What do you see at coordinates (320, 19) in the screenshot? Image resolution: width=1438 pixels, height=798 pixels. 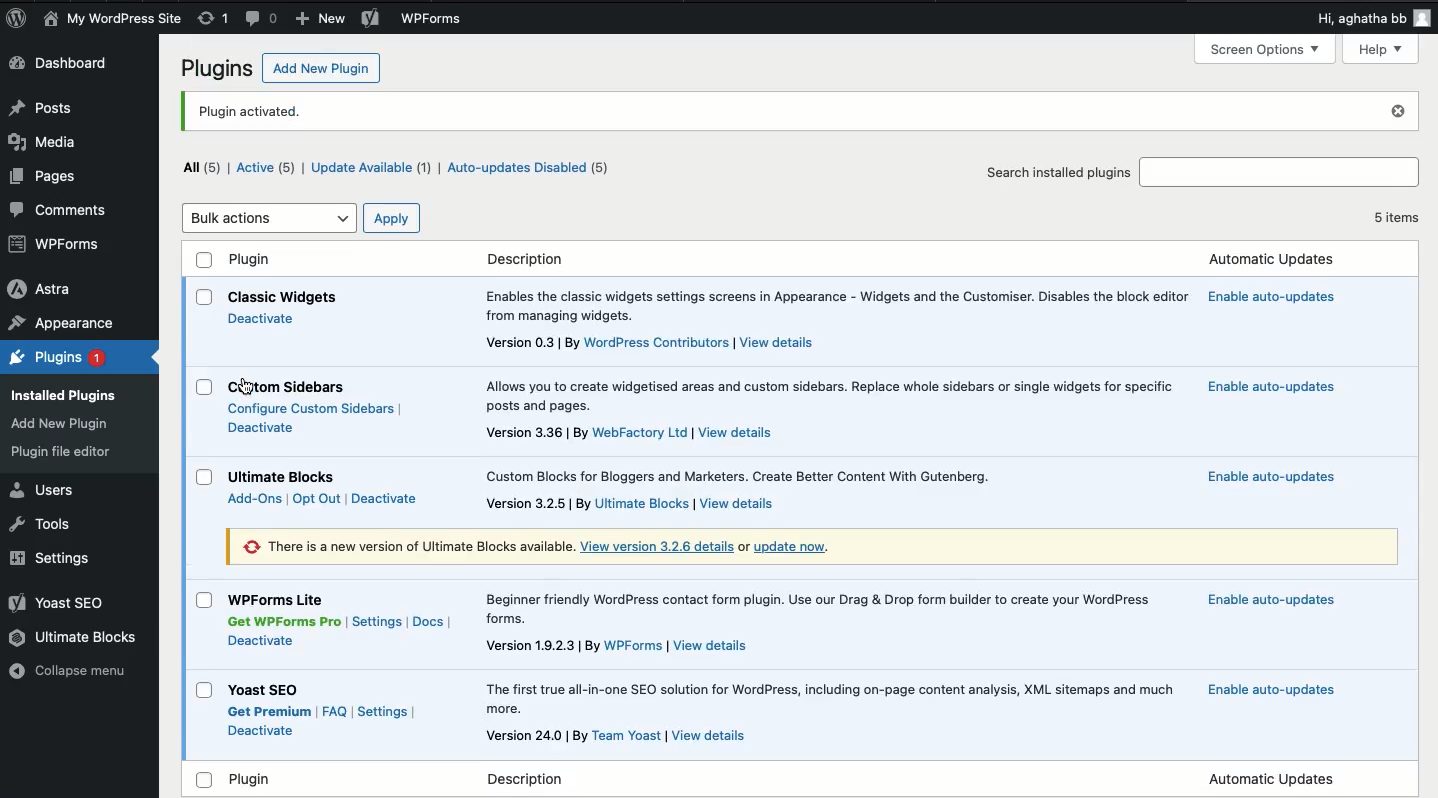 I see `New` at bounding box center [320, 19].